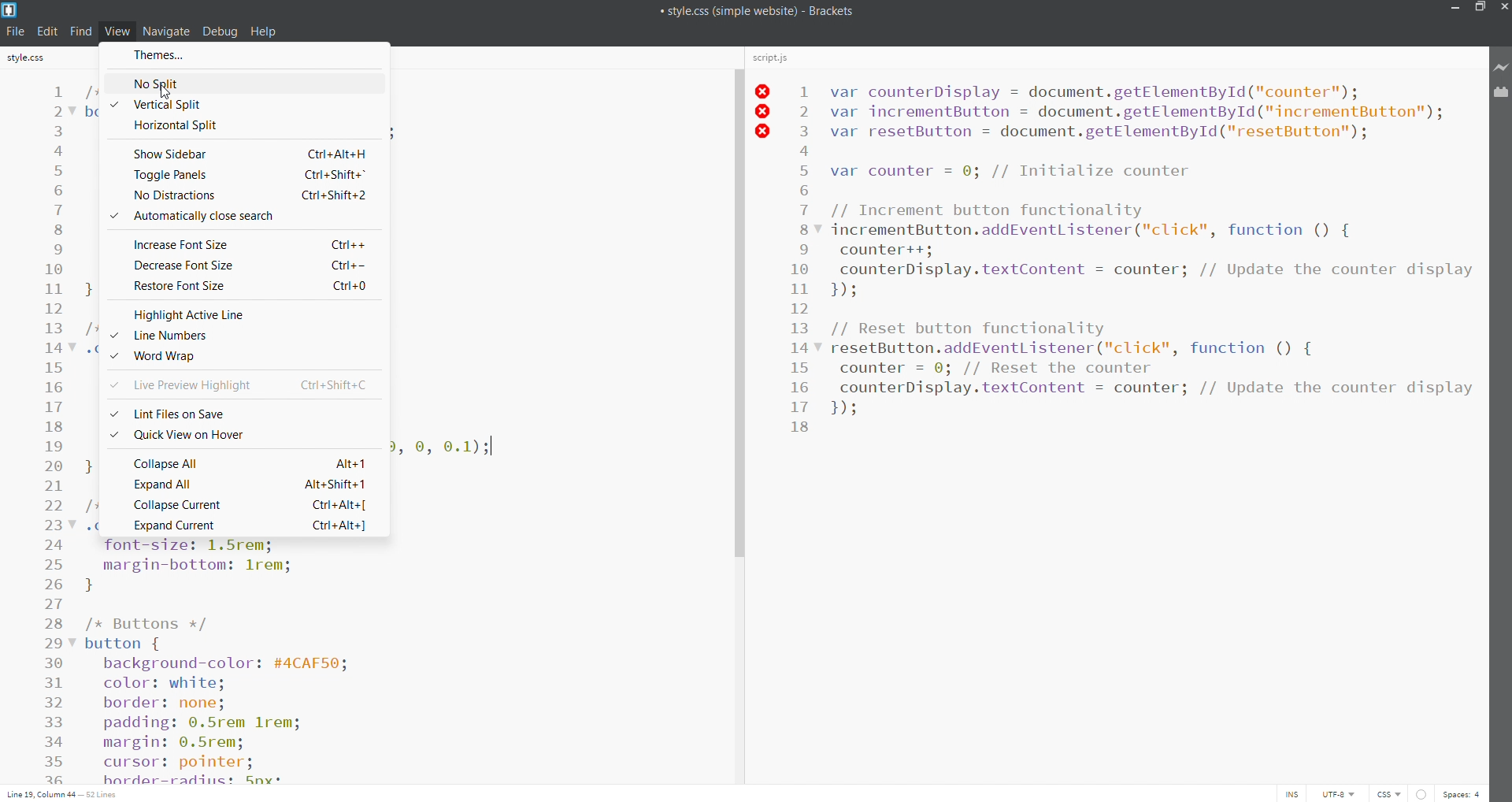 Image resolution: width=1512 pixels, height=802 pixels. I want to click on collapse current, so click(239, 506).